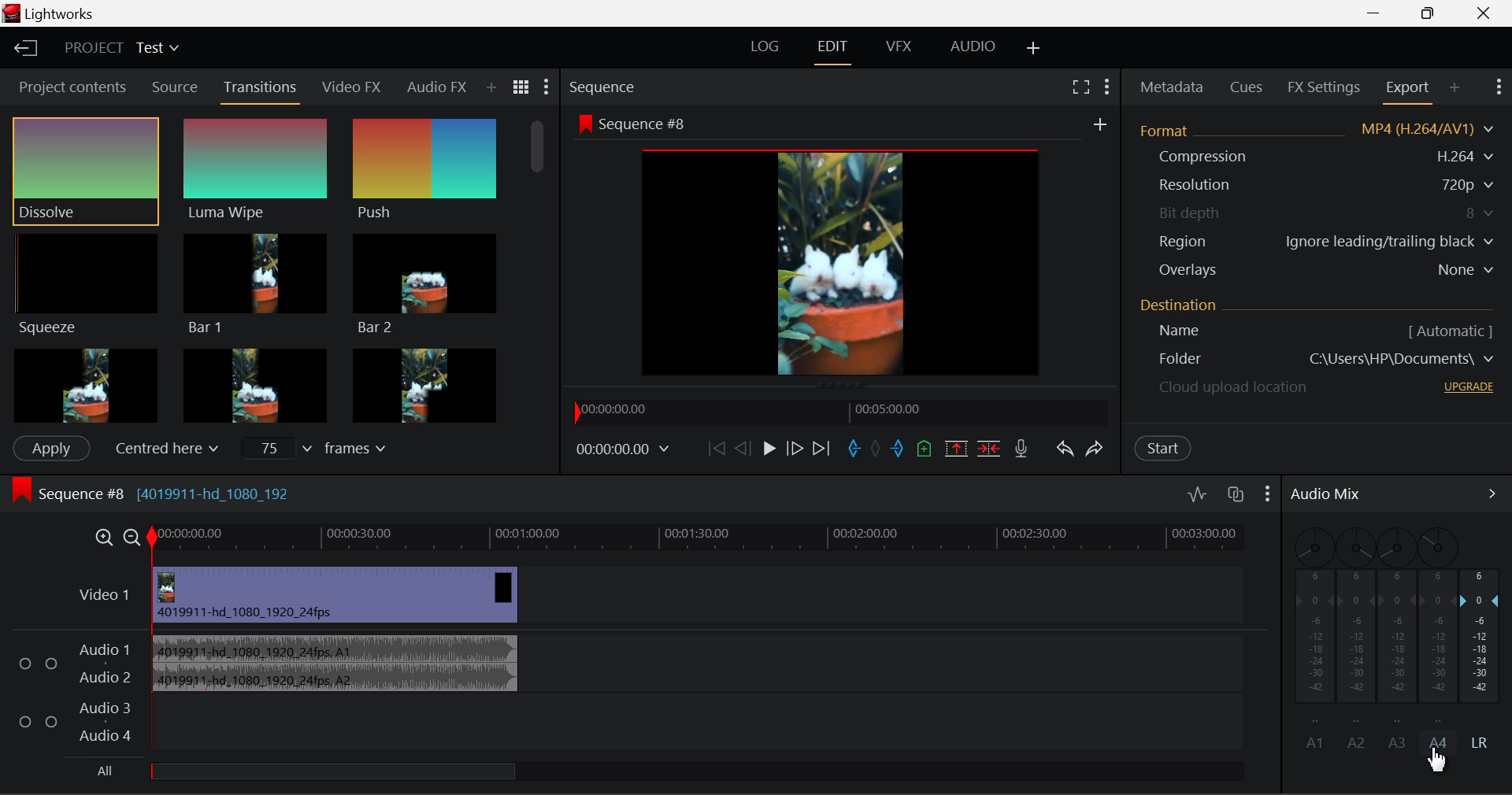 The image size is (1512, 795). Describe the element at coordinates (1492, 496) in the screenshot. I see `Show Audio Mix` at that location.